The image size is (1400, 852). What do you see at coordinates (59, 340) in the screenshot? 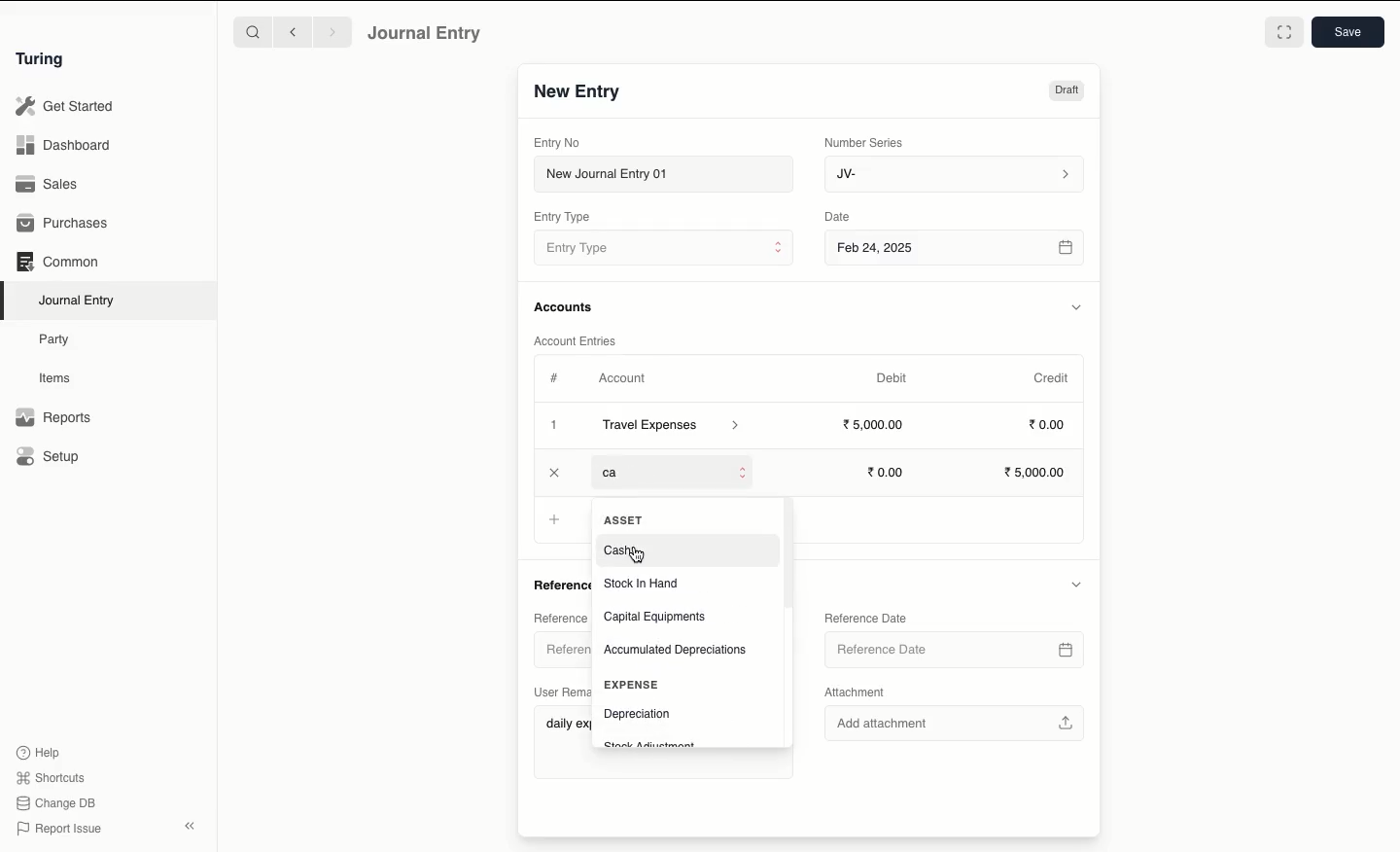
I see `Party` at bounding box center [59, 340].